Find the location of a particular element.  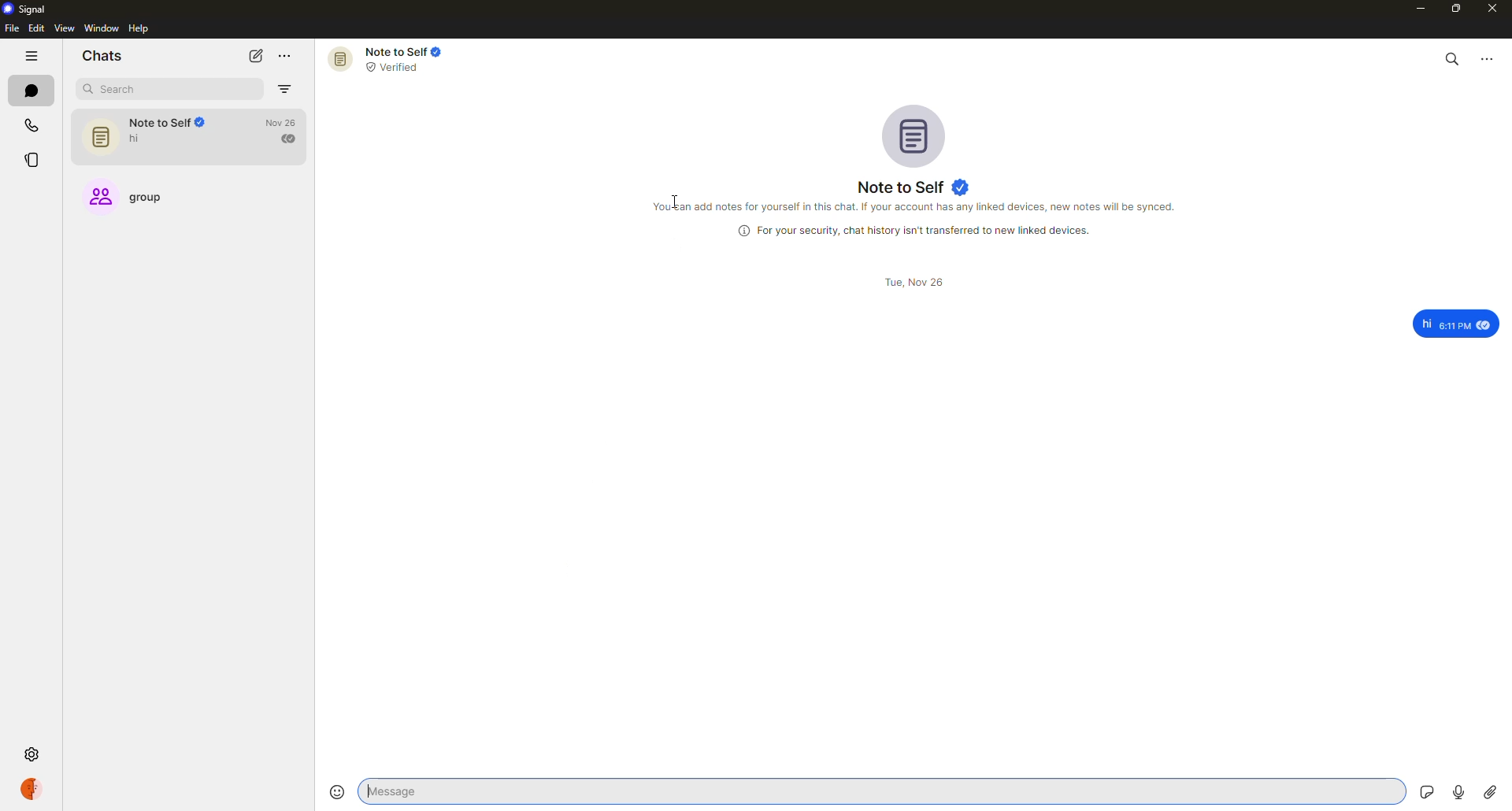

new chat is located at coordinates (255, 56).